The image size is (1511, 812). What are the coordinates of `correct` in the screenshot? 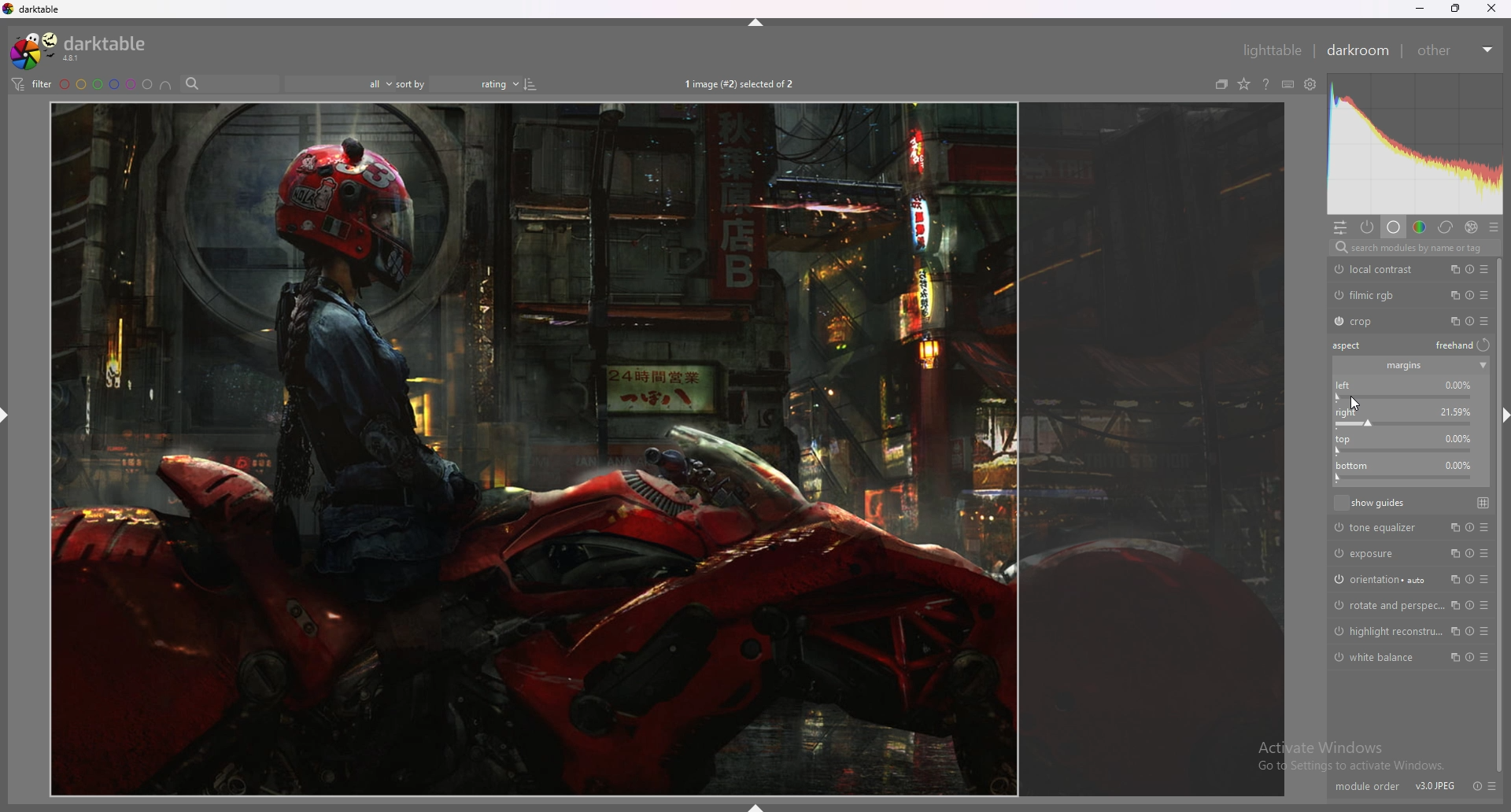 It's located at (1446, 227).